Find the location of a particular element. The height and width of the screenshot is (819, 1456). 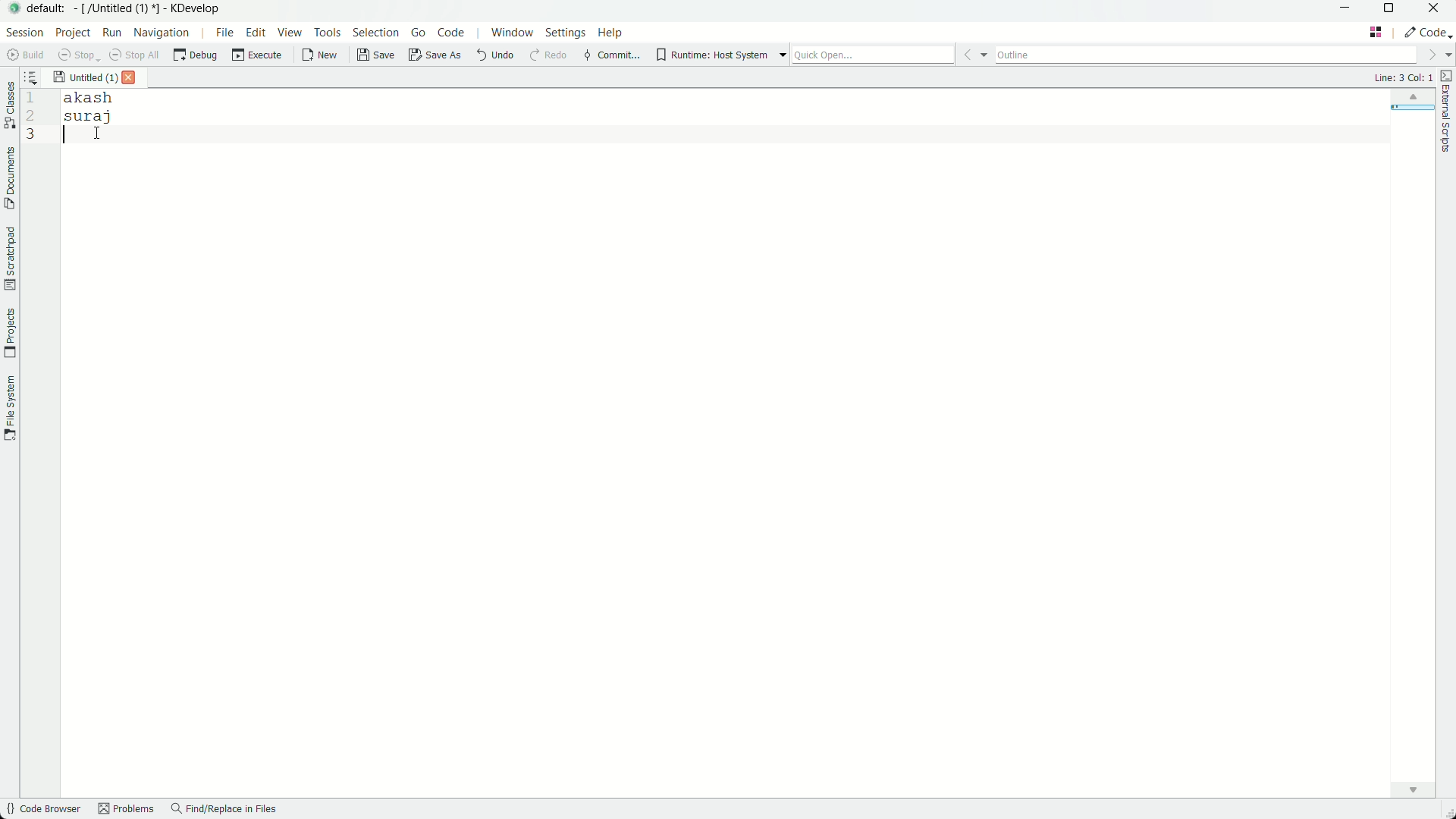

help menu is located at coordinates (613, 32).